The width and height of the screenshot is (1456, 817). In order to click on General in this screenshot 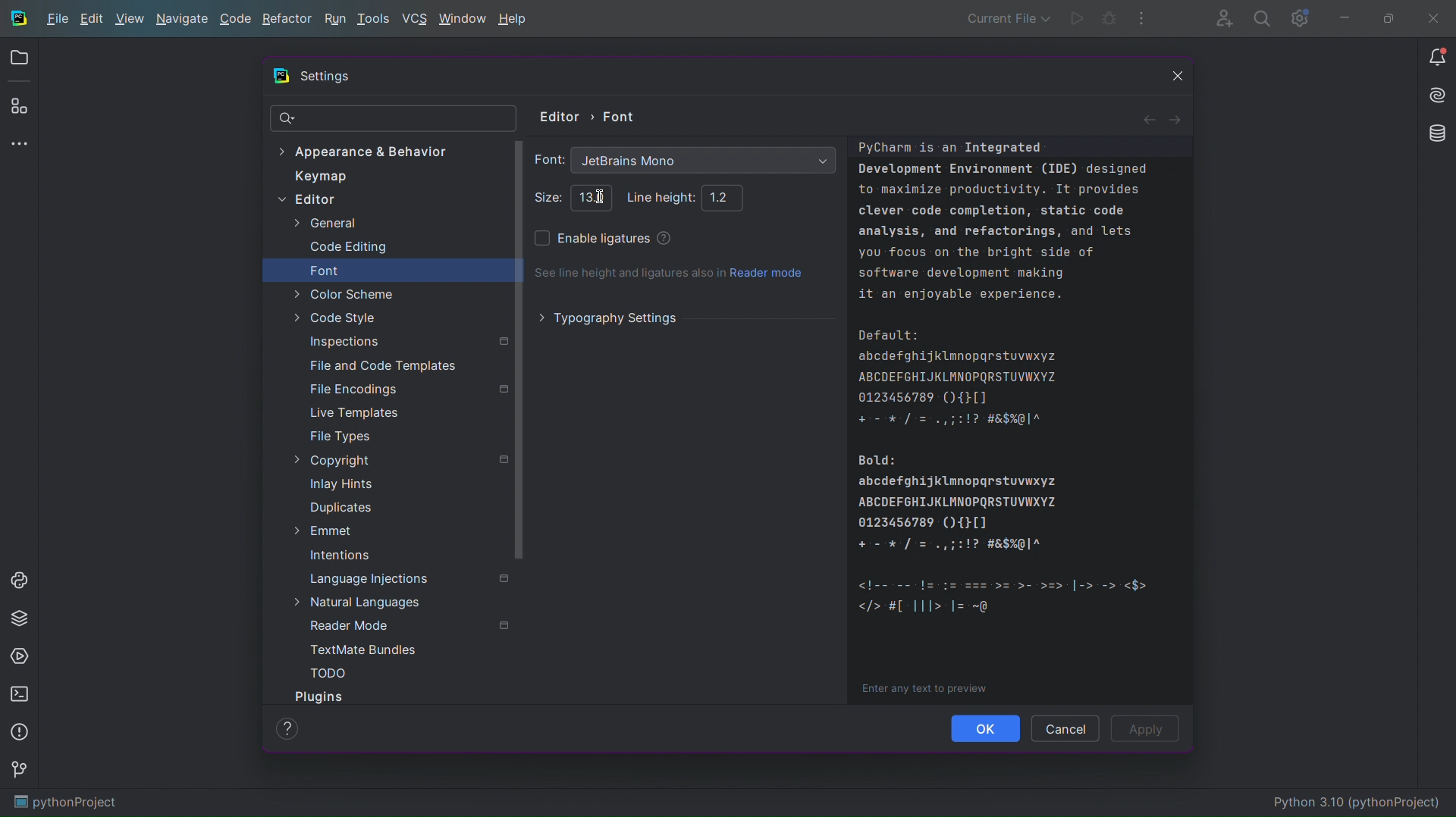, I will do `click(325, 224)`.